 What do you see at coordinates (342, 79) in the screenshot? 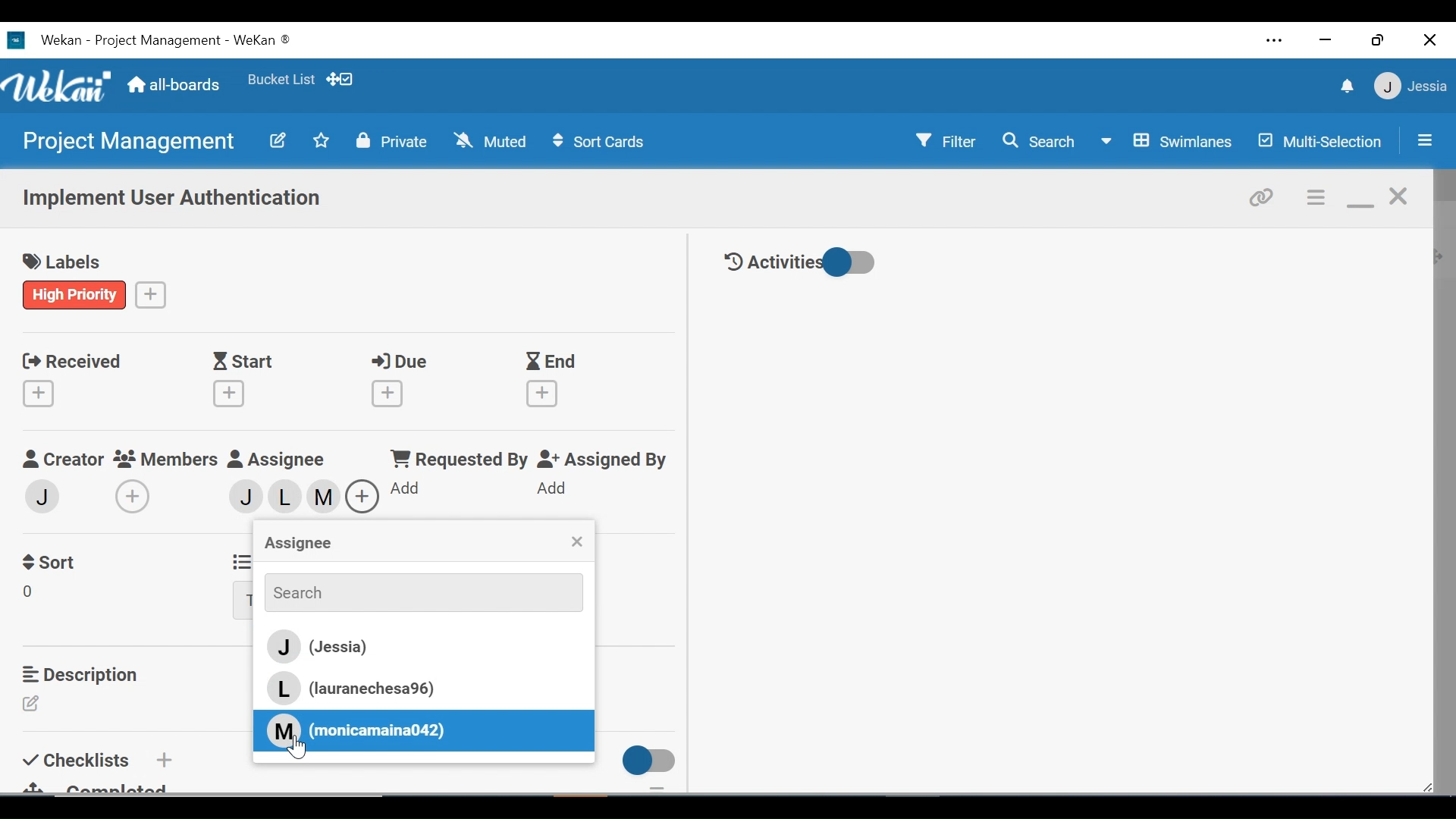
I see `Show Desktop drag handles` at bounding box center [342, 79].